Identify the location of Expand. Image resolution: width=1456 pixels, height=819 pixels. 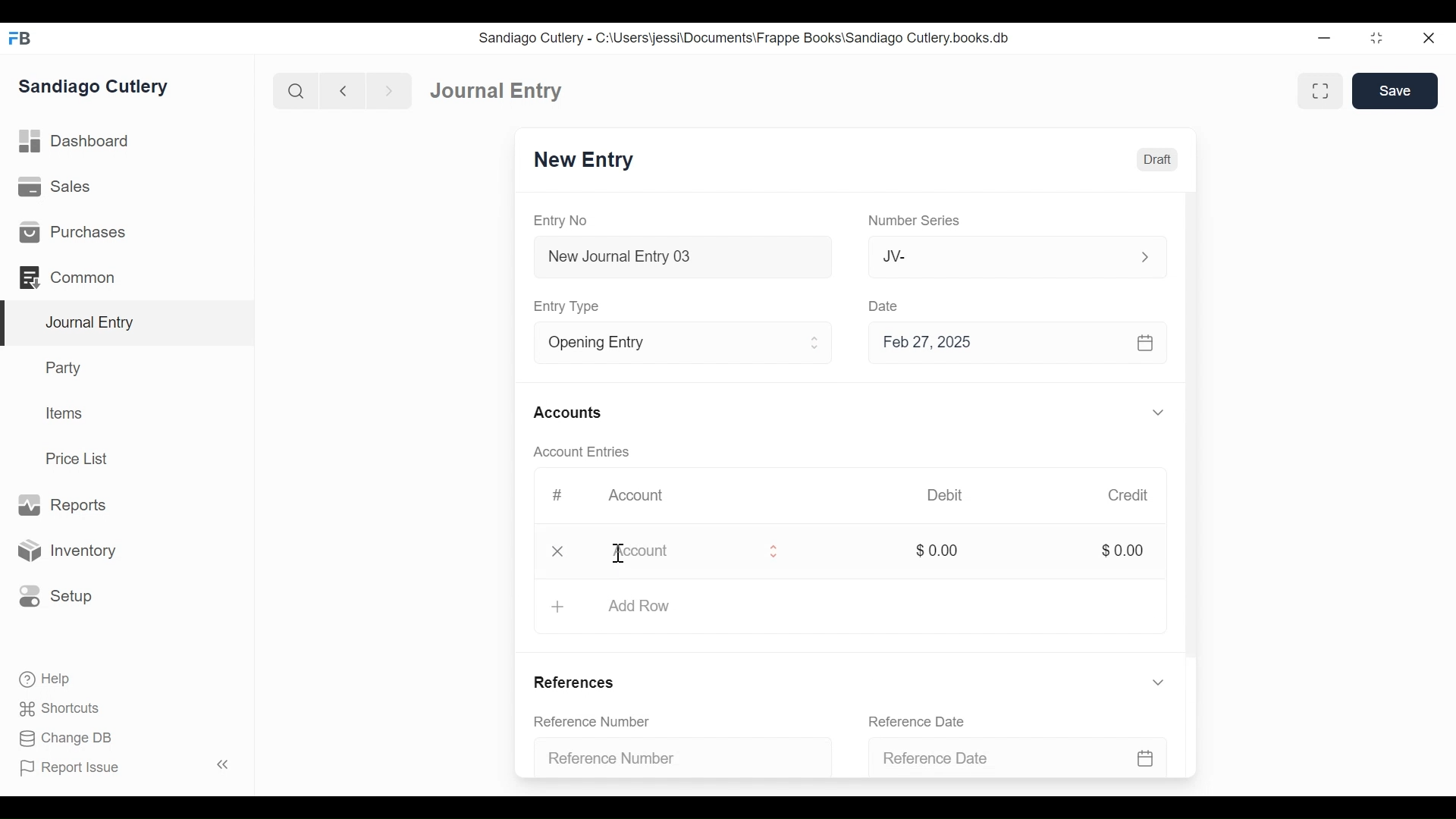
(816, 344).